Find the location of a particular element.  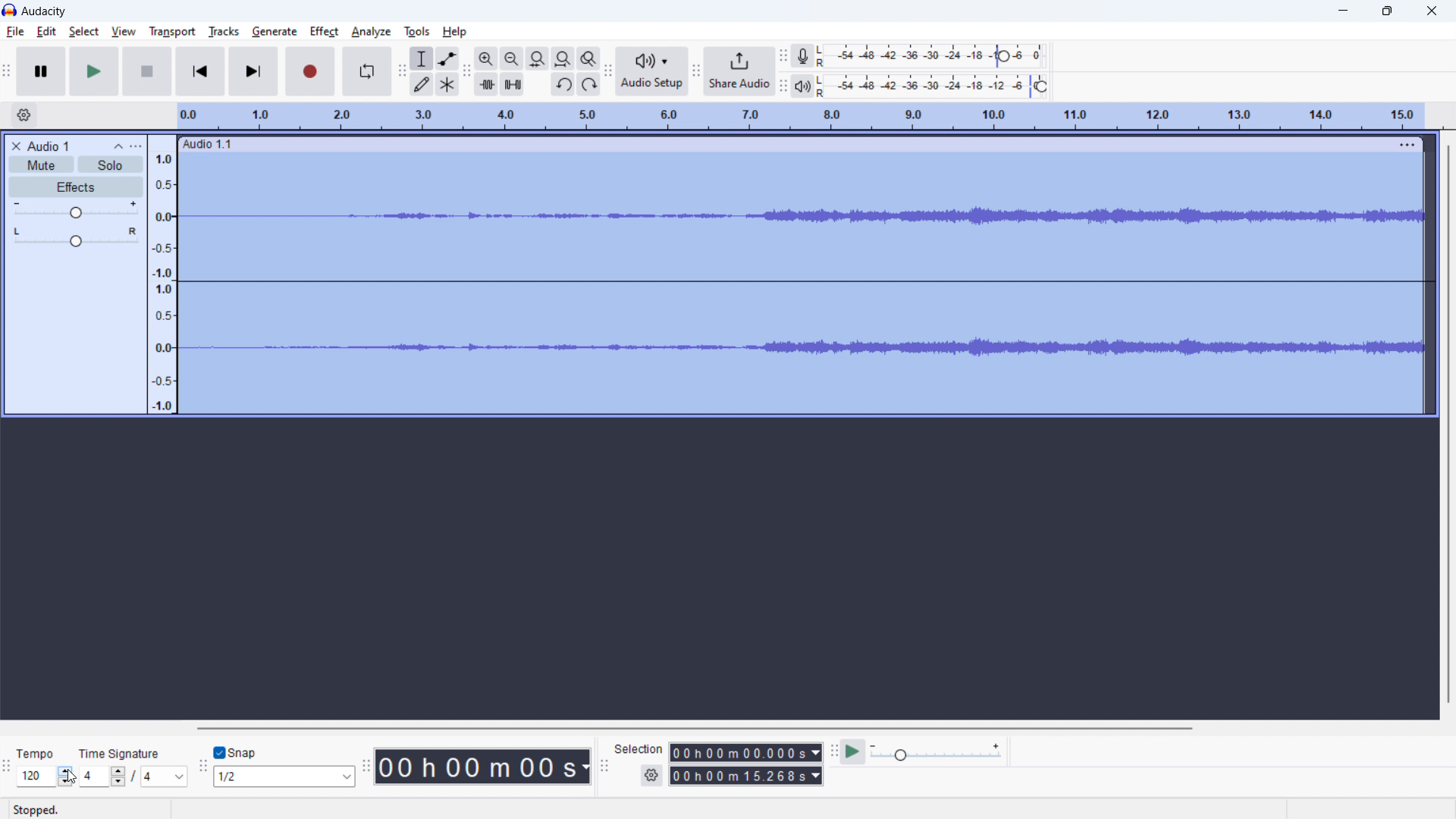

envelop tool is located at coordinates (447, 58).